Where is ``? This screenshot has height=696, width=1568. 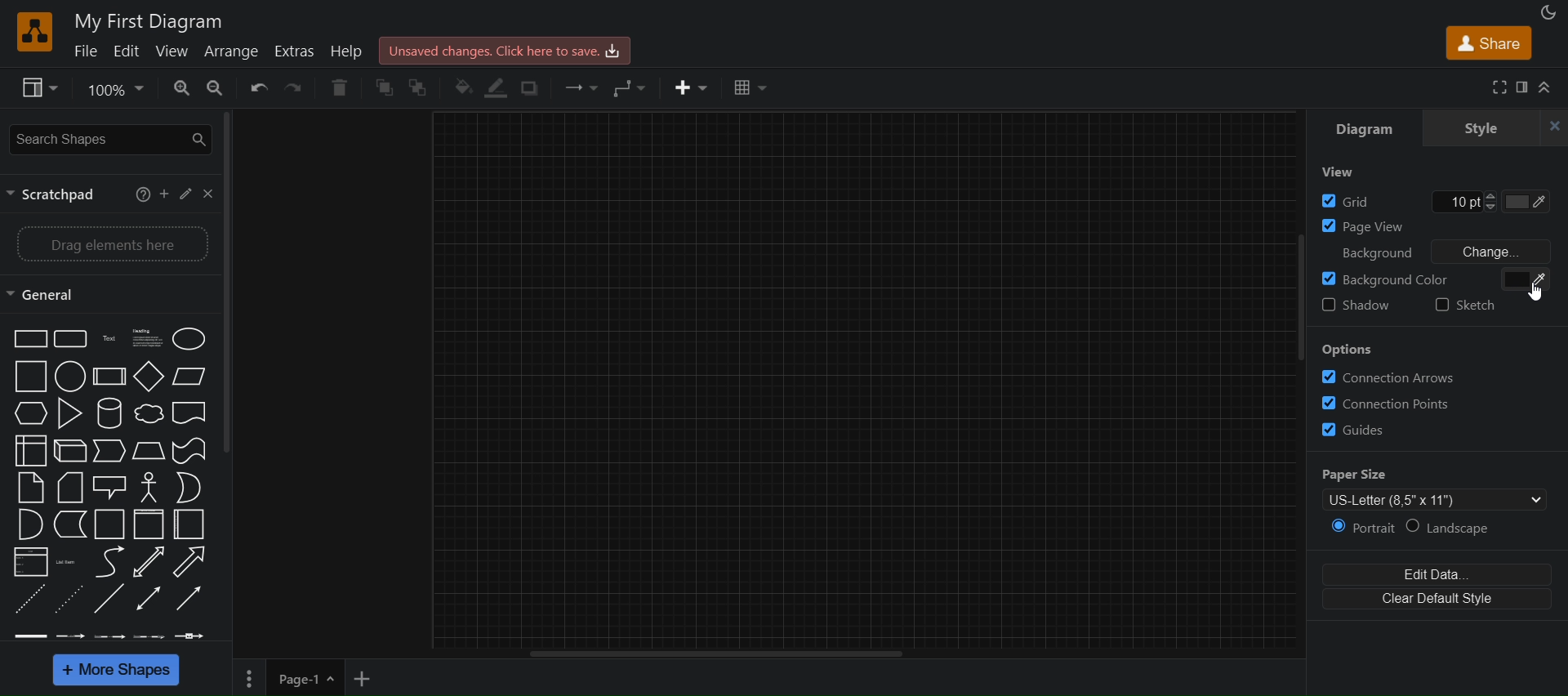  is located at coordinates (1351, 351).